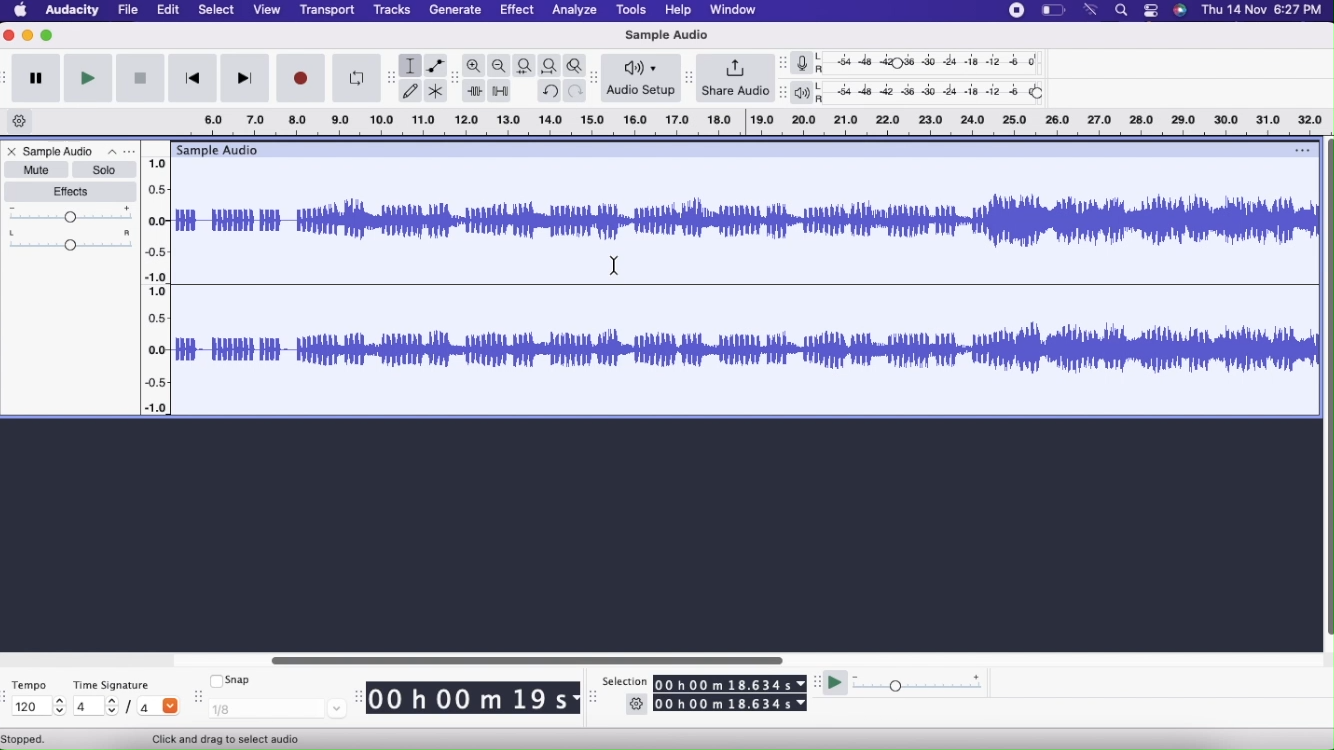 This screenshot has width=1334, height=750. I want to click on battery, so click(1054, 13).